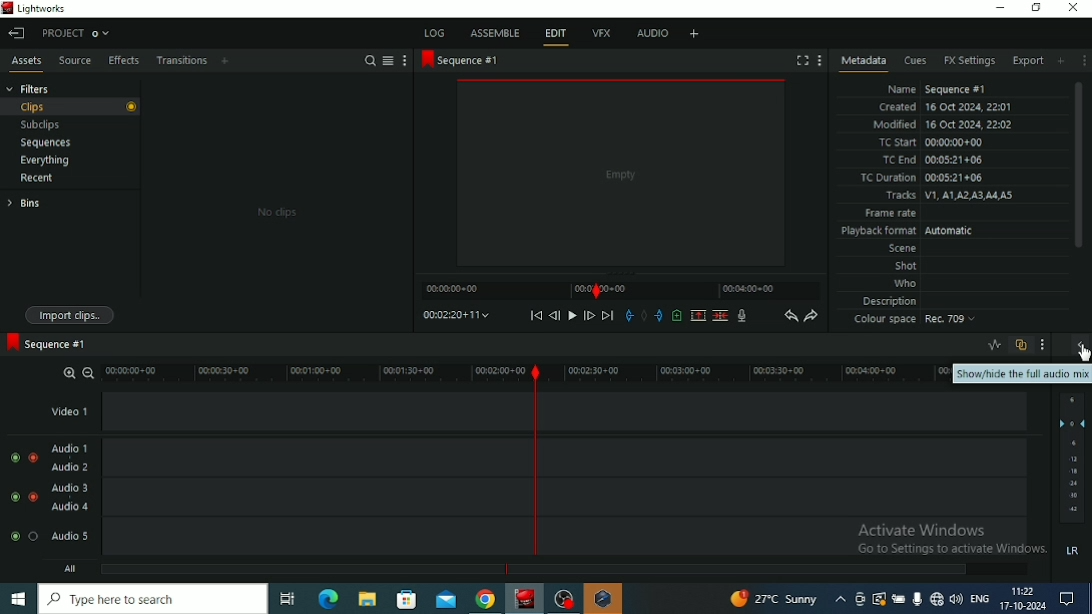 The image size is (1092, 614). Describe the element at coordinates (693, 34) in the screenshot. I see `Add, remove and creates layouts` at that location.